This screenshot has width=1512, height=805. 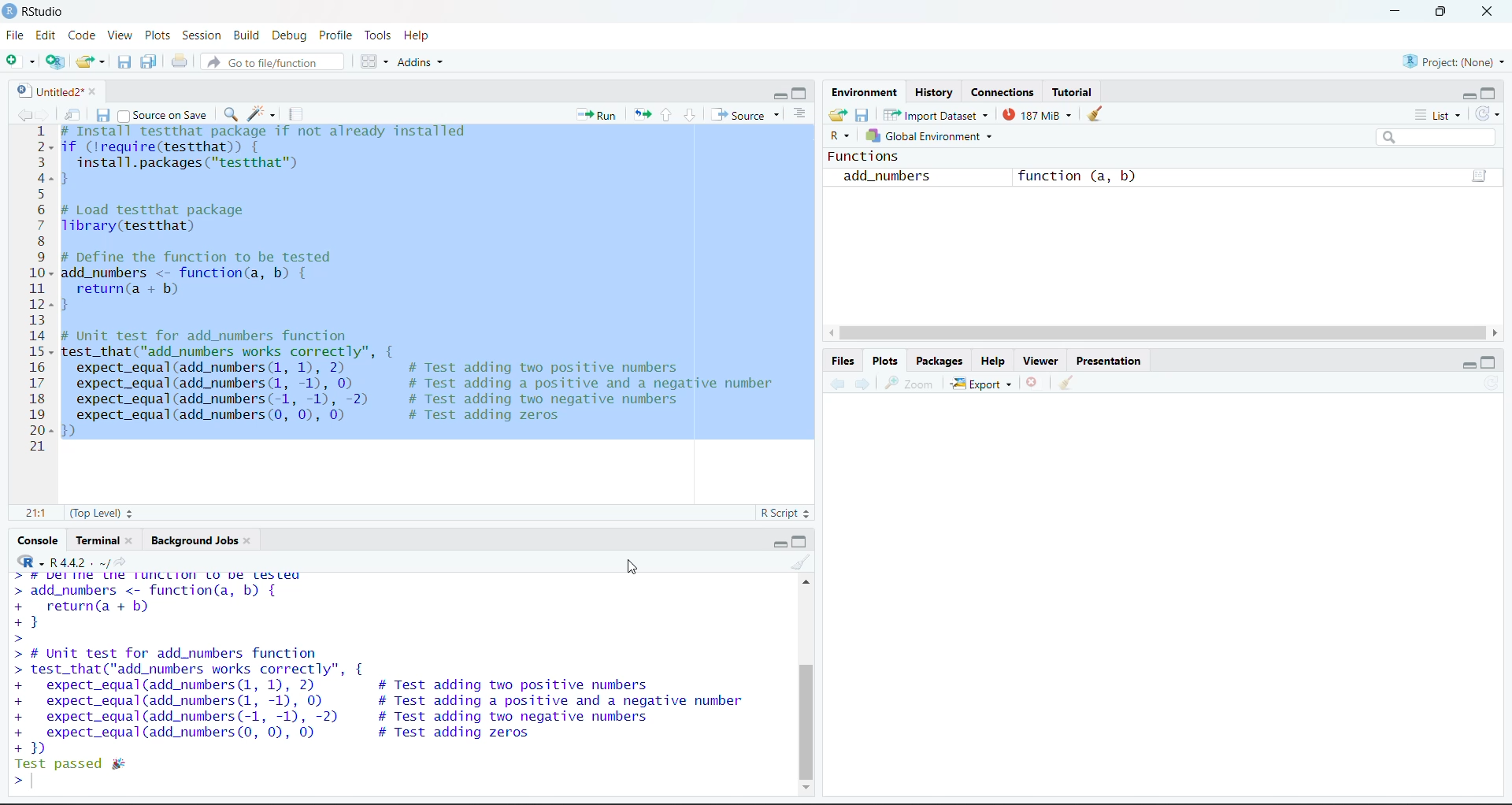 What do you see at coordinates (799, 113) in the screenshot?
I see `show document outline` at bounding box center [799, 113].